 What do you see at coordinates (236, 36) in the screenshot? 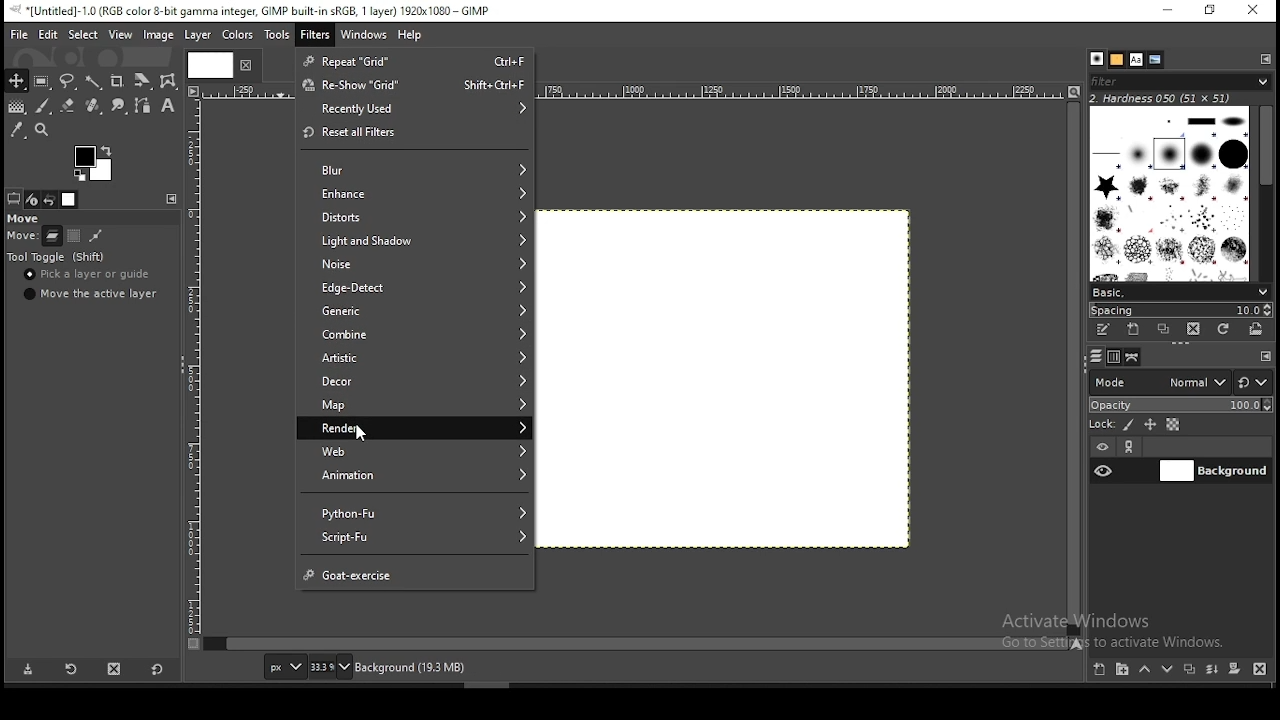
I see `colors` at bounding box center [236, 36].